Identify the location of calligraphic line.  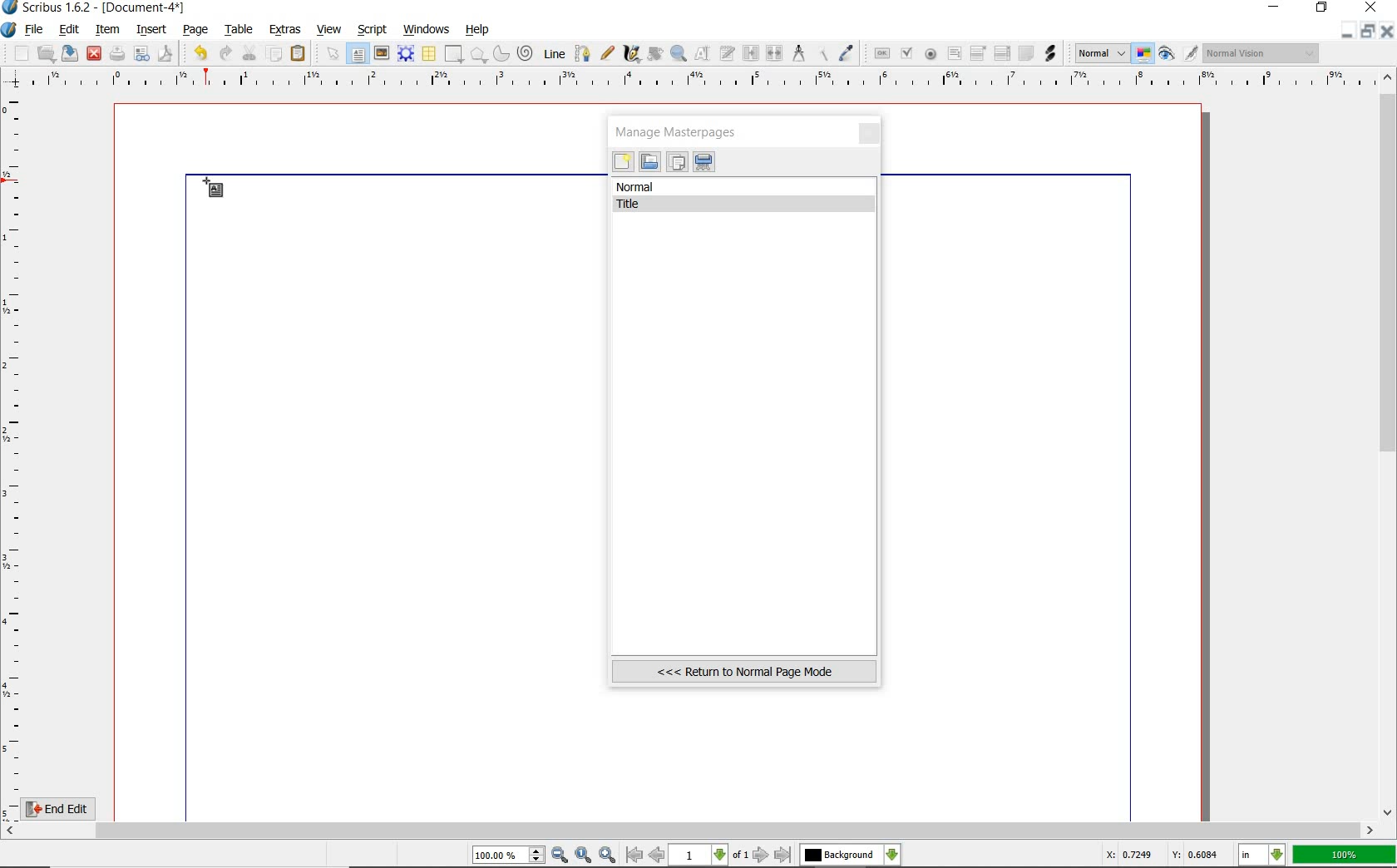
(631, 54).